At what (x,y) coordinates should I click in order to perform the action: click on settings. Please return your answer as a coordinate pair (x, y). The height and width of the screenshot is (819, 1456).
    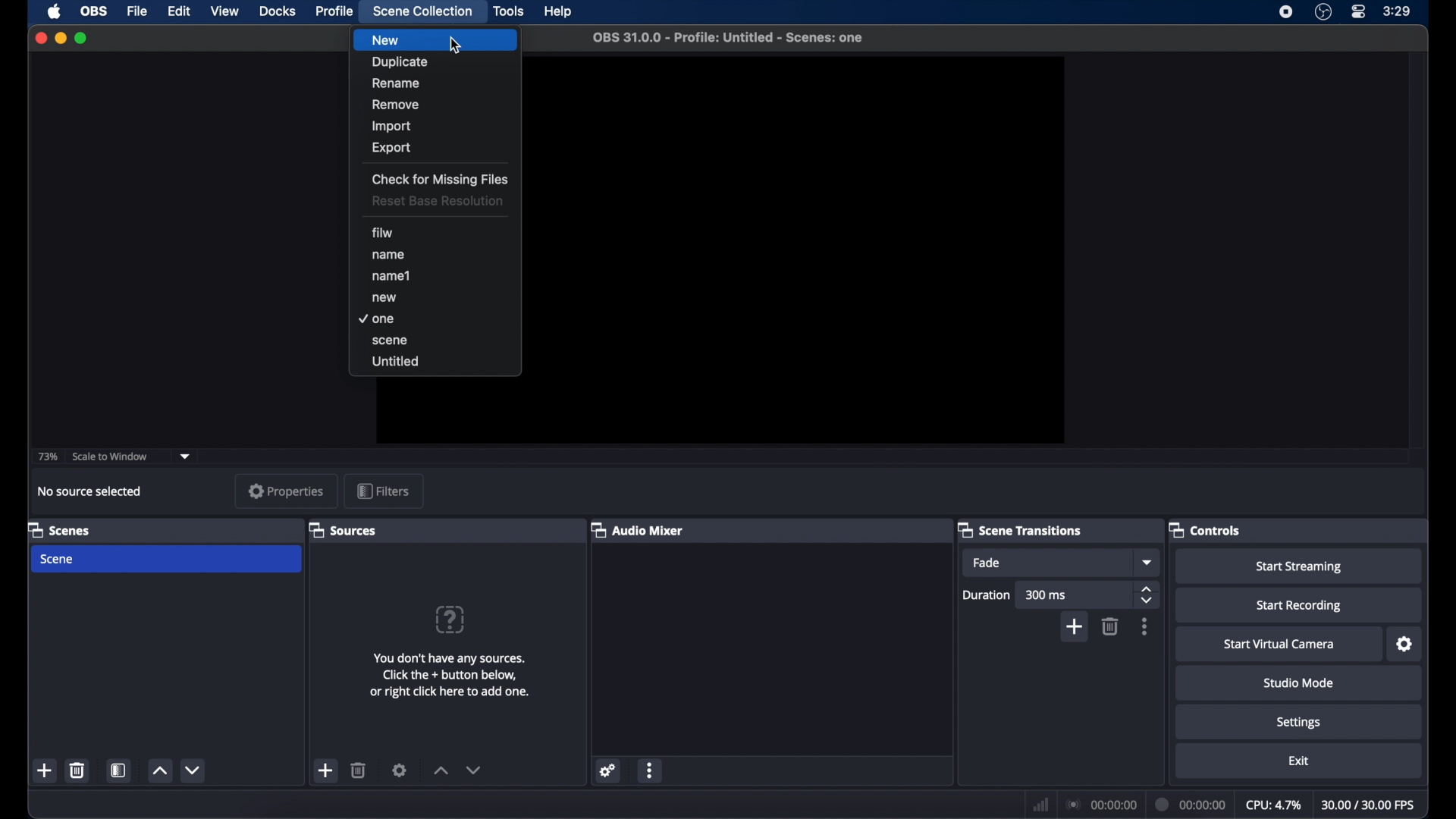
    Looking at the image, I should click on (1405, 644).